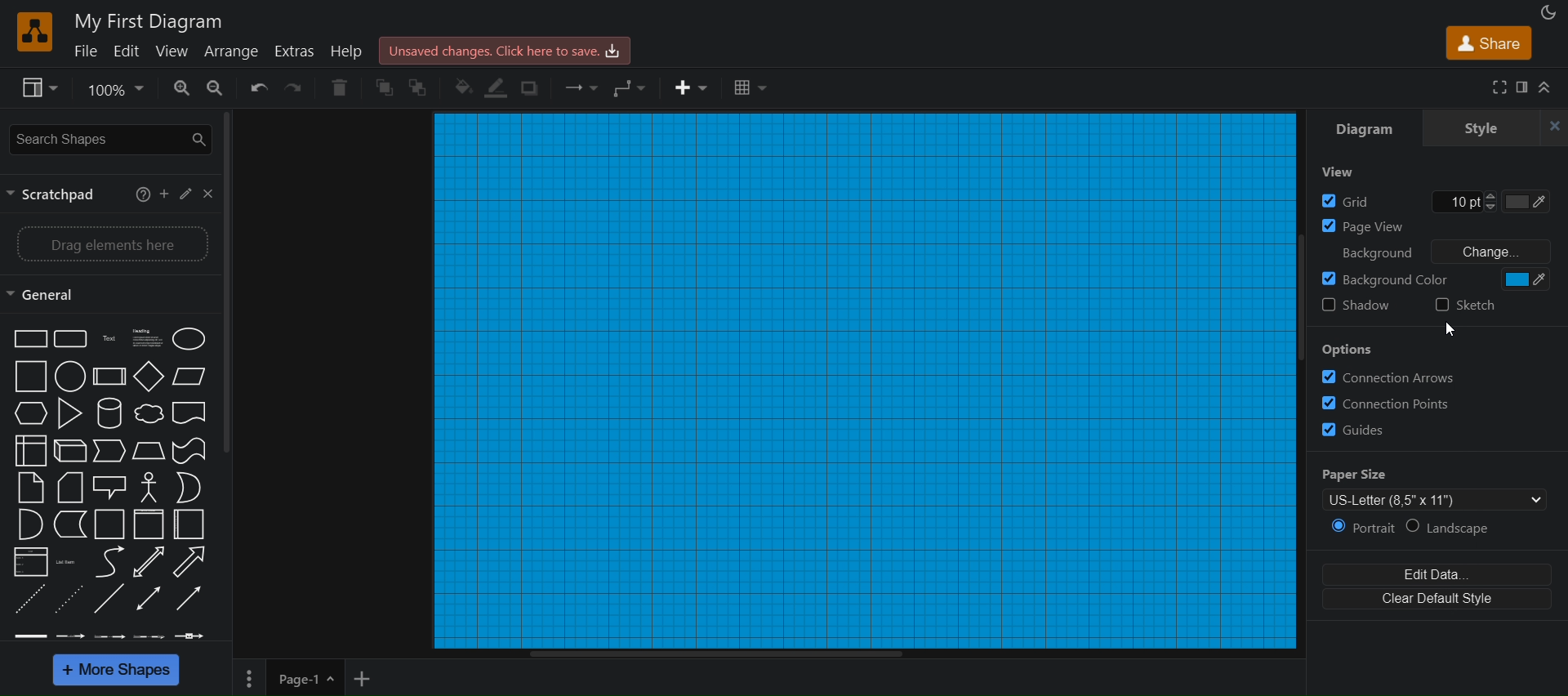 The height and width of the screenshot is (696, 1568). What do you see at coordinates (693, 88) in the screenshot?
I see `inser` at bounding box center [693, 88].